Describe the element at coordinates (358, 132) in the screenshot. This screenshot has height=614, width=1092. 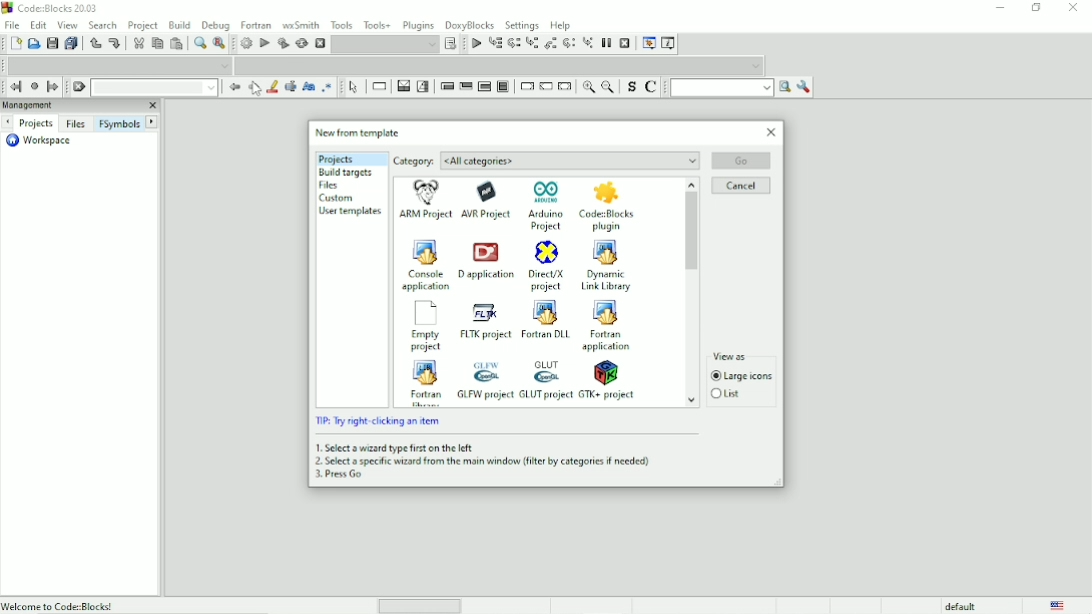
I see `New from template` at that location.